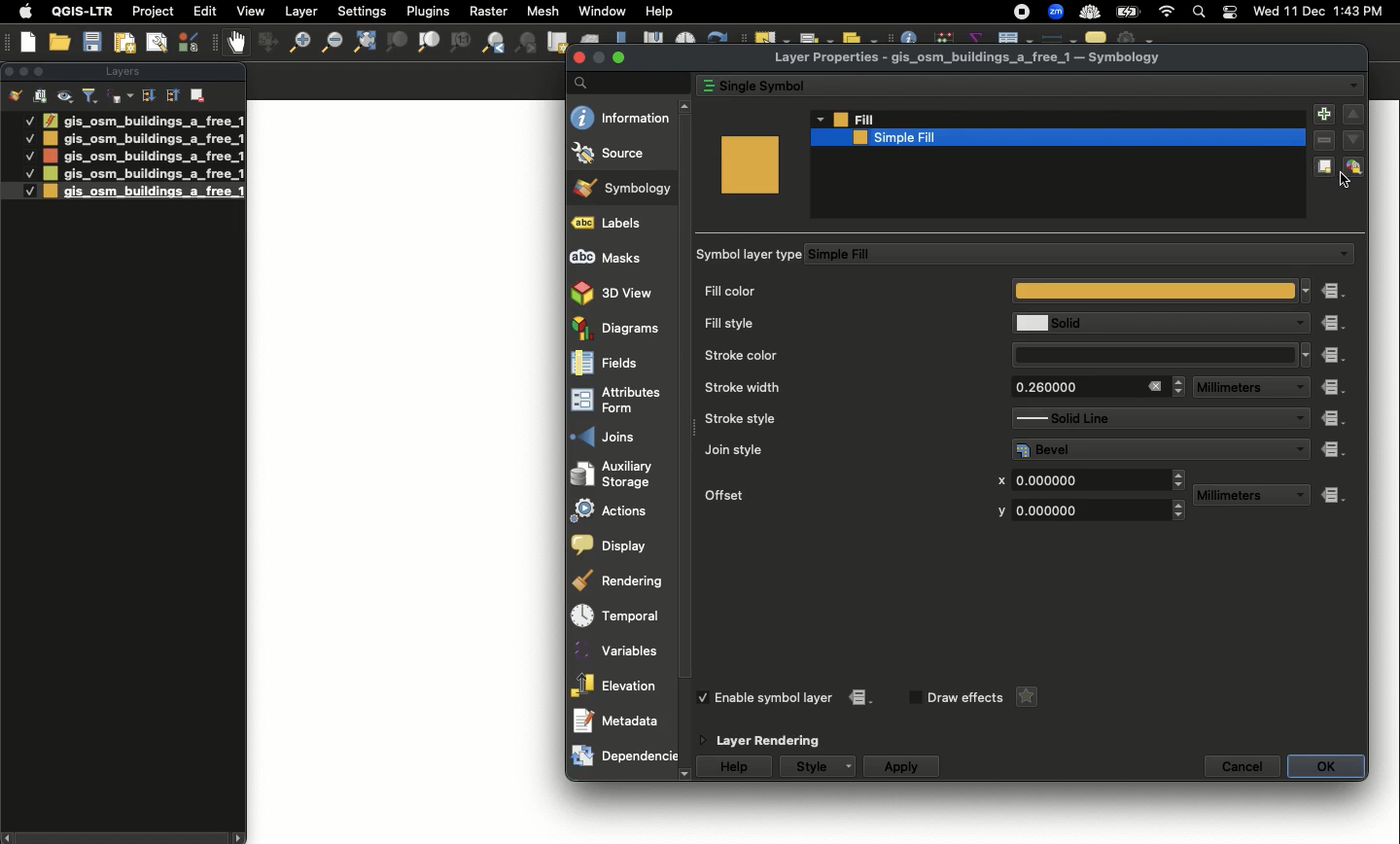  What do you see at coordinates (249, 11) in the screenshot?
I see `View` at bounding box center [249, 11].